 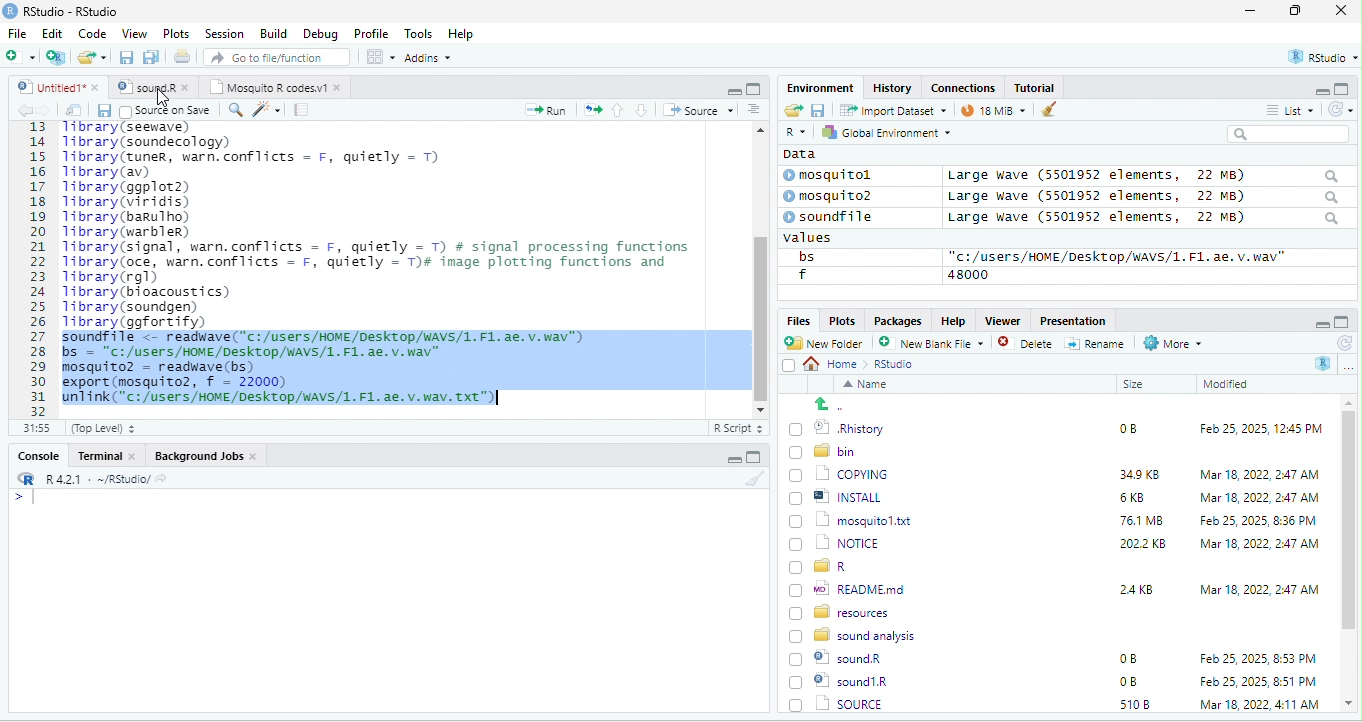 What do you see at coordinates (1171, 344) in the screenshot?
I see ` More ` at bounding box center [1171, 344].